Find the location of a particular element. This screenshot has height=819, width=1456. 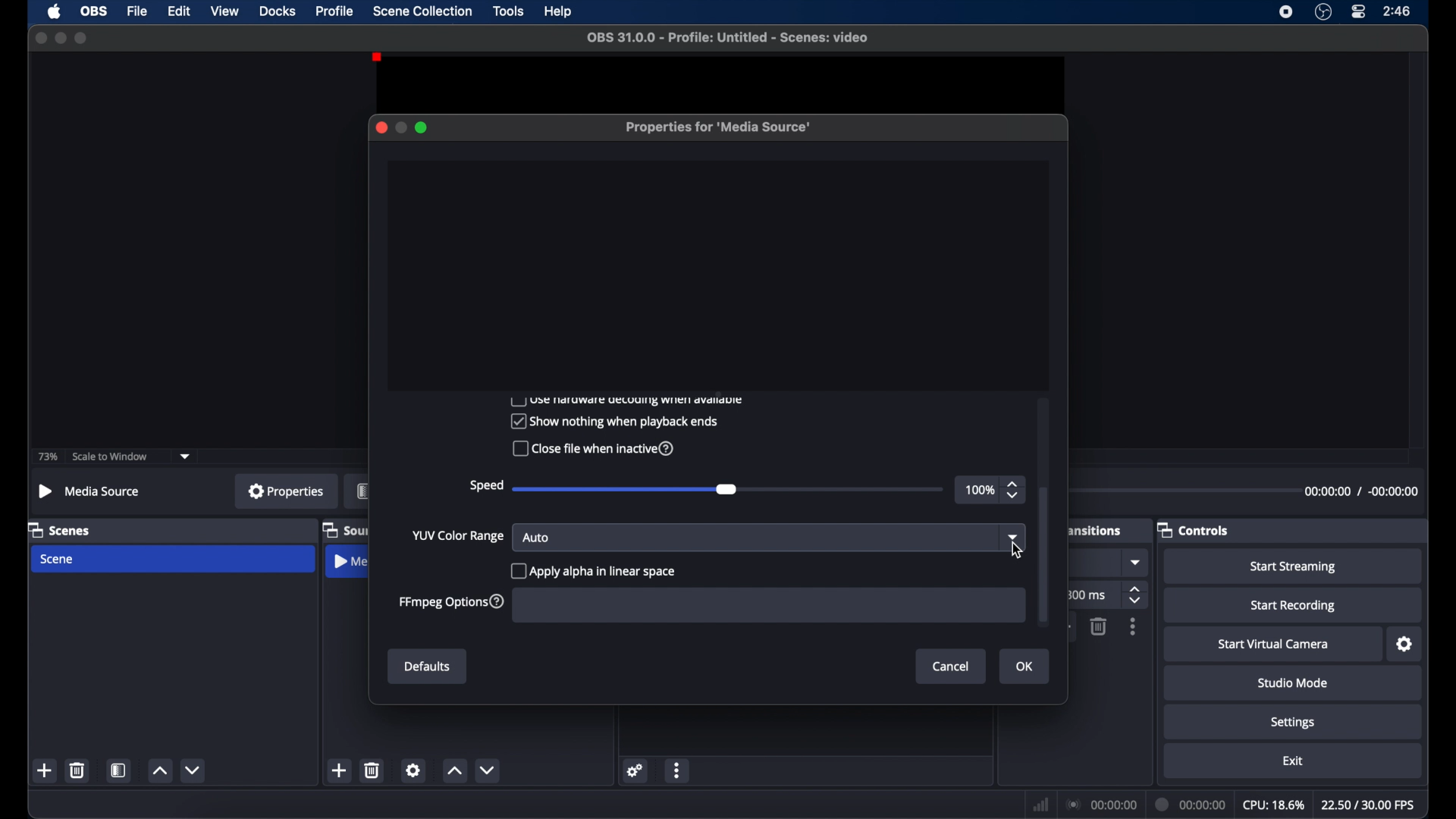

defaults is located at coordinates (428, 667).